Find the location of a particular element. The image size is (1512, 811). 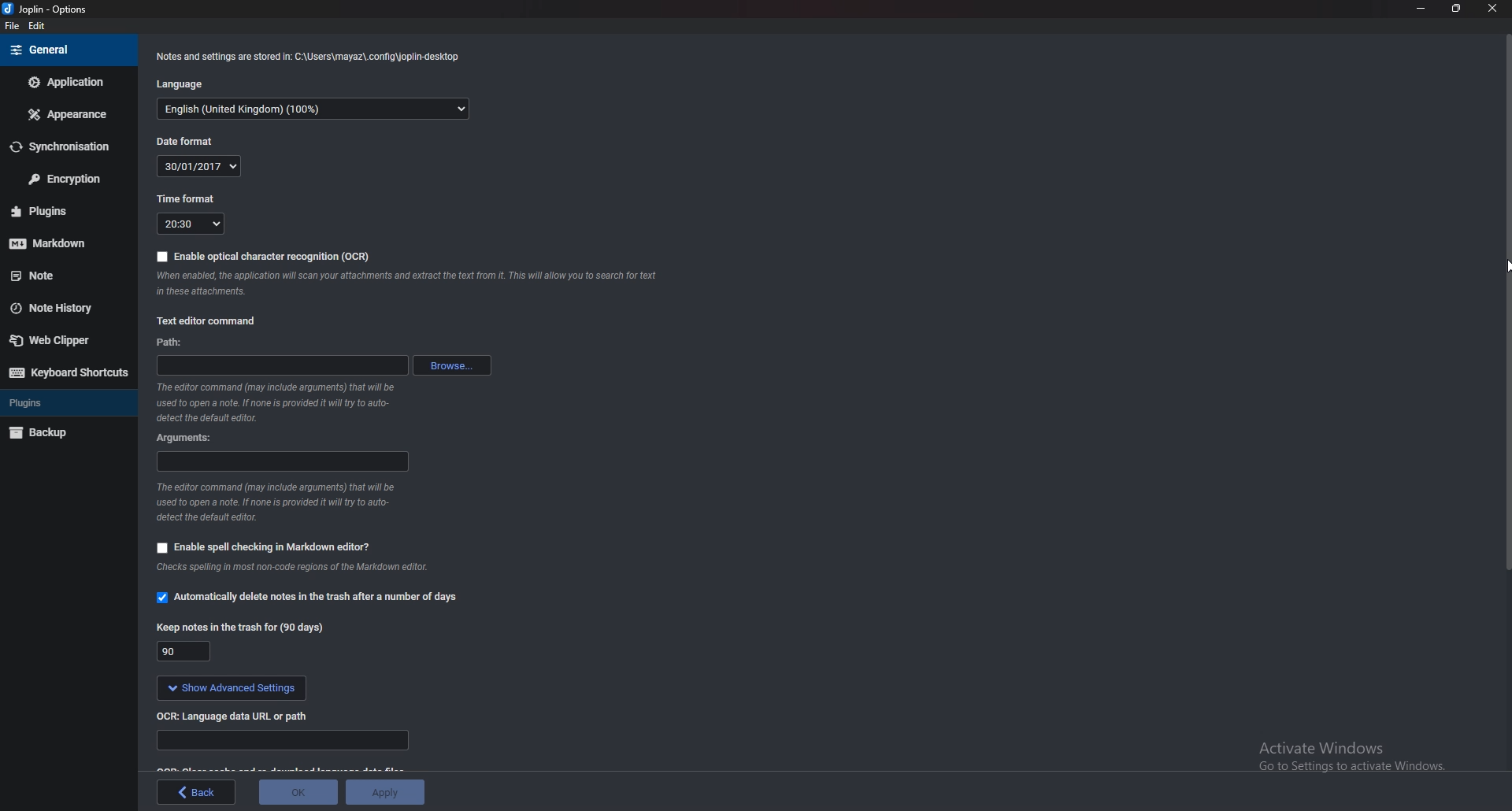

path is located at coordinates (281, 366).